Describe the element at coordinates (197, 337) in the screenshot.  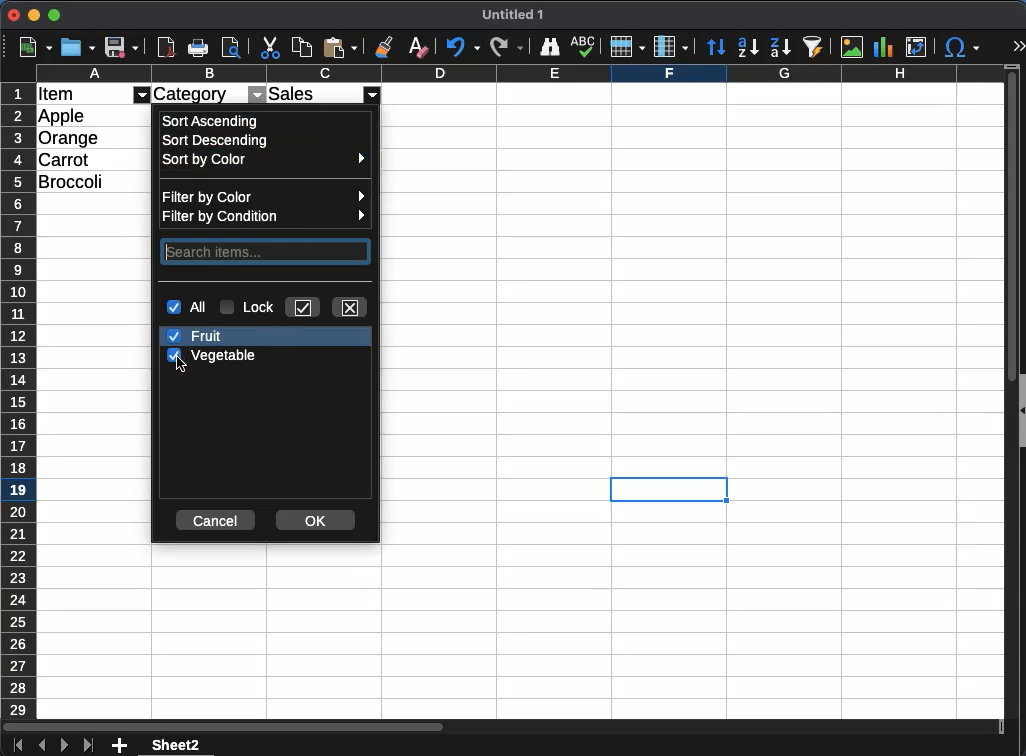
I see `fruit` at that location.